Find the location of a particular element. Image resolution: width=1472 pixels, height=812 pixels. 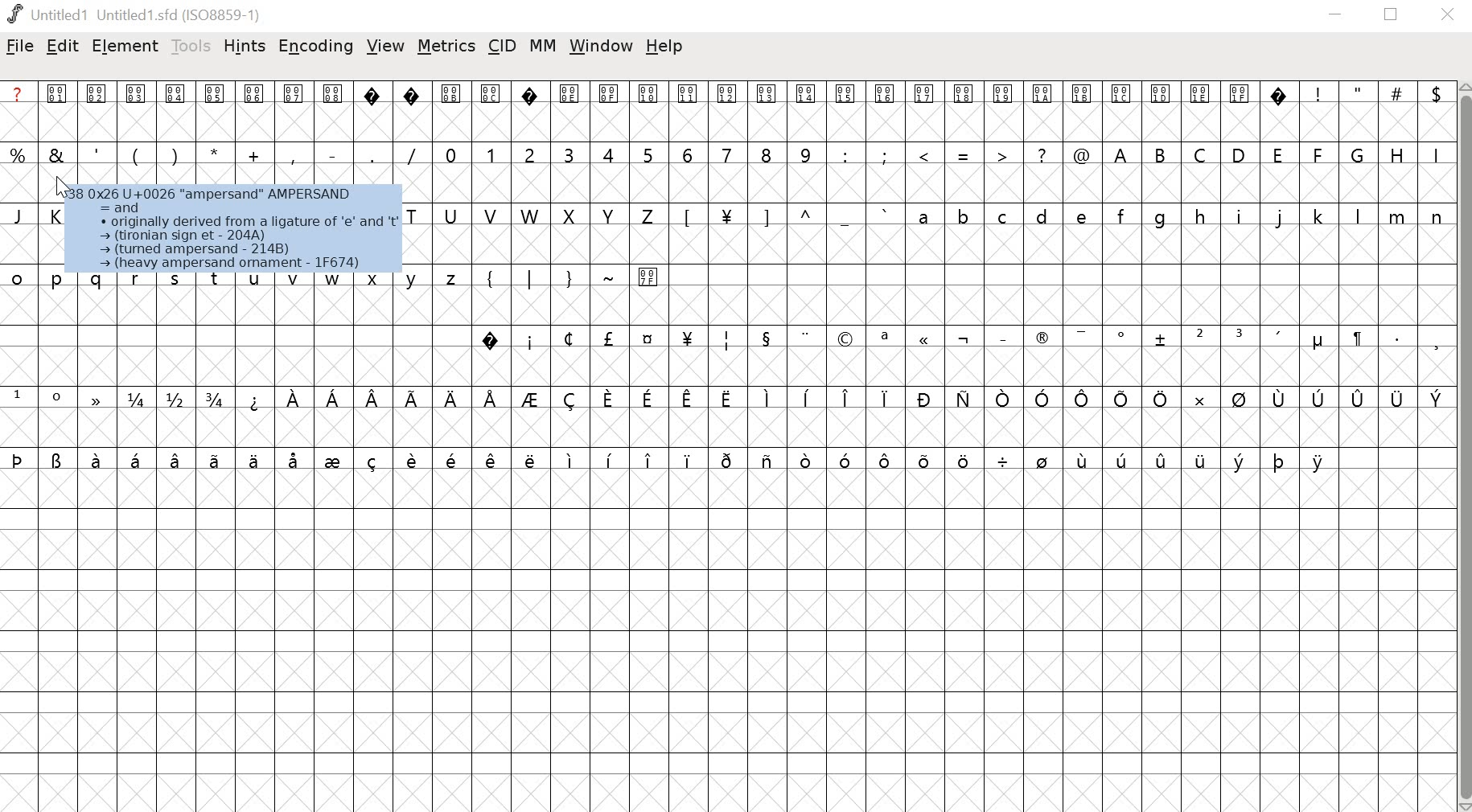

A538 0x26 U+0026 “ampersand” AMPERSAND

5 =and

C « originally derived from a ligature of 'e’ and 't
> (tironian sign et - 204A)
- (tured ampersand - 214B)

a — (heavy ampersand omament - 1F674) is located at coordinates (232, 226).